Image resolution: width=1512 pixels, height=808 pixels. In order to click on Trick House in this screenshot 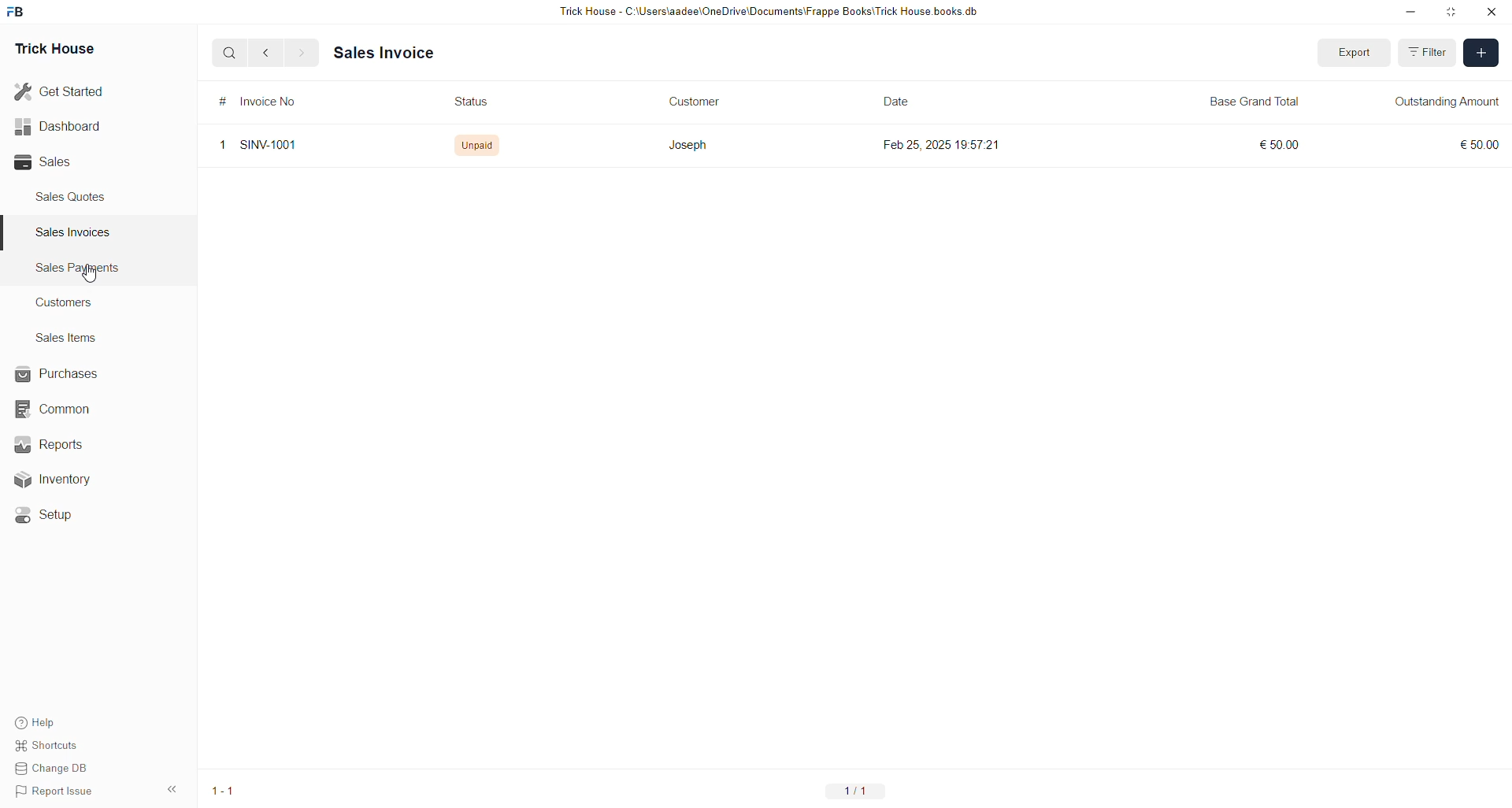, I will do `click(54, 50)`.